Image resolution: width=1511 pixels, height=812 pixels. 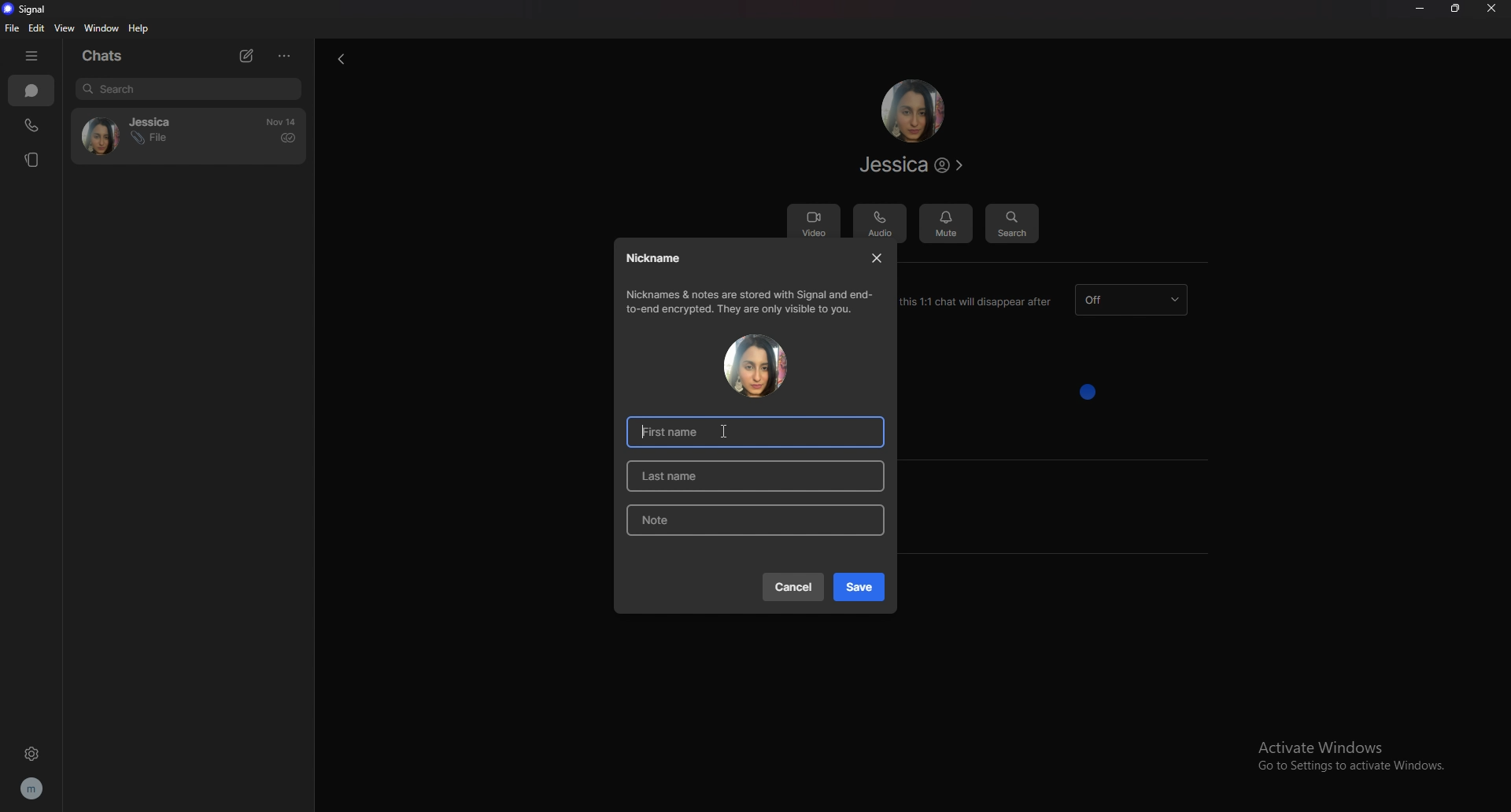 I want to click on resize, so click(x=1461, y=10).